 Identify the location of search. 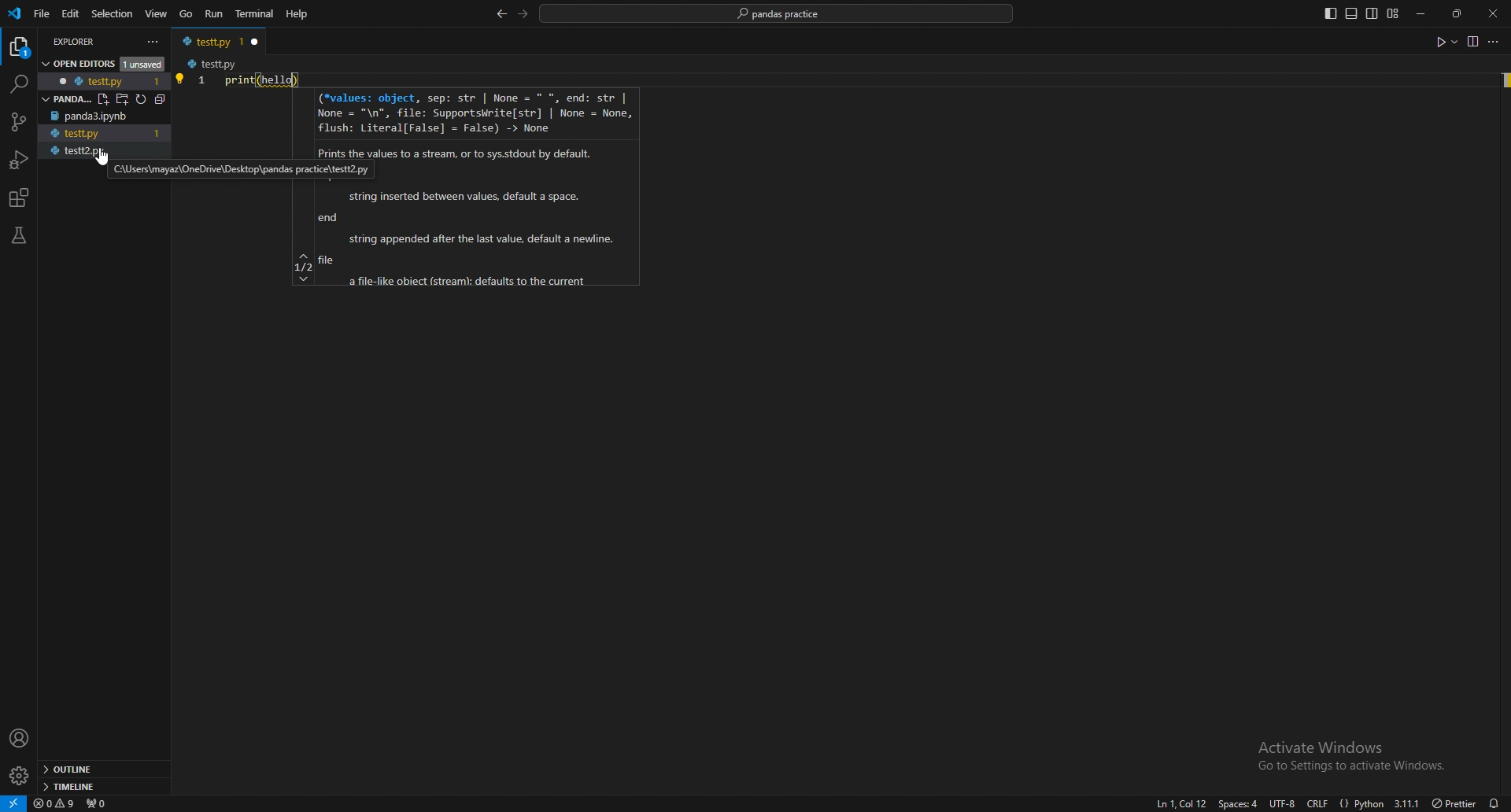
(17, 84).